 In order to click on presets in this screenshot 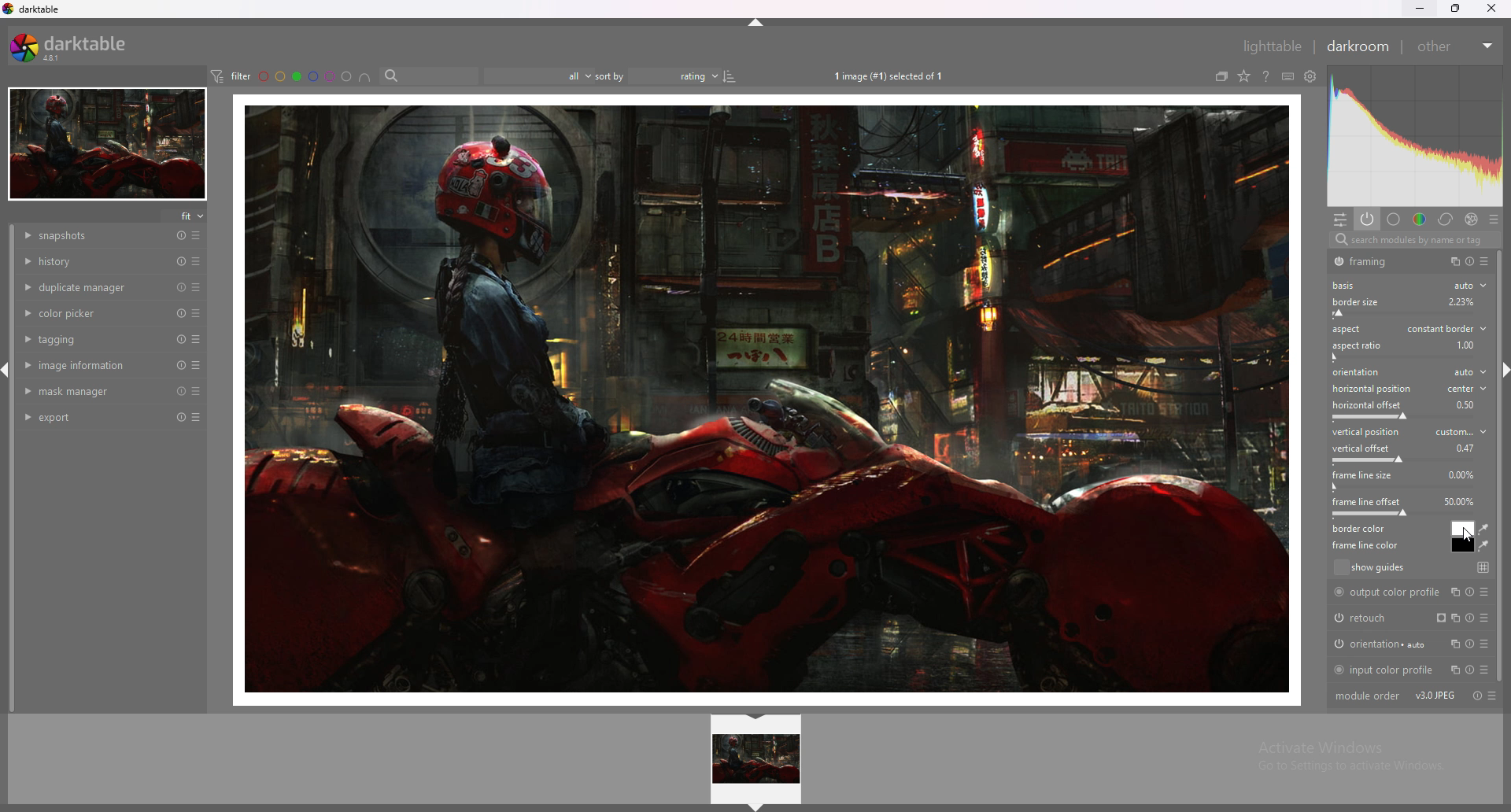, I will do `click(197, 287)`.